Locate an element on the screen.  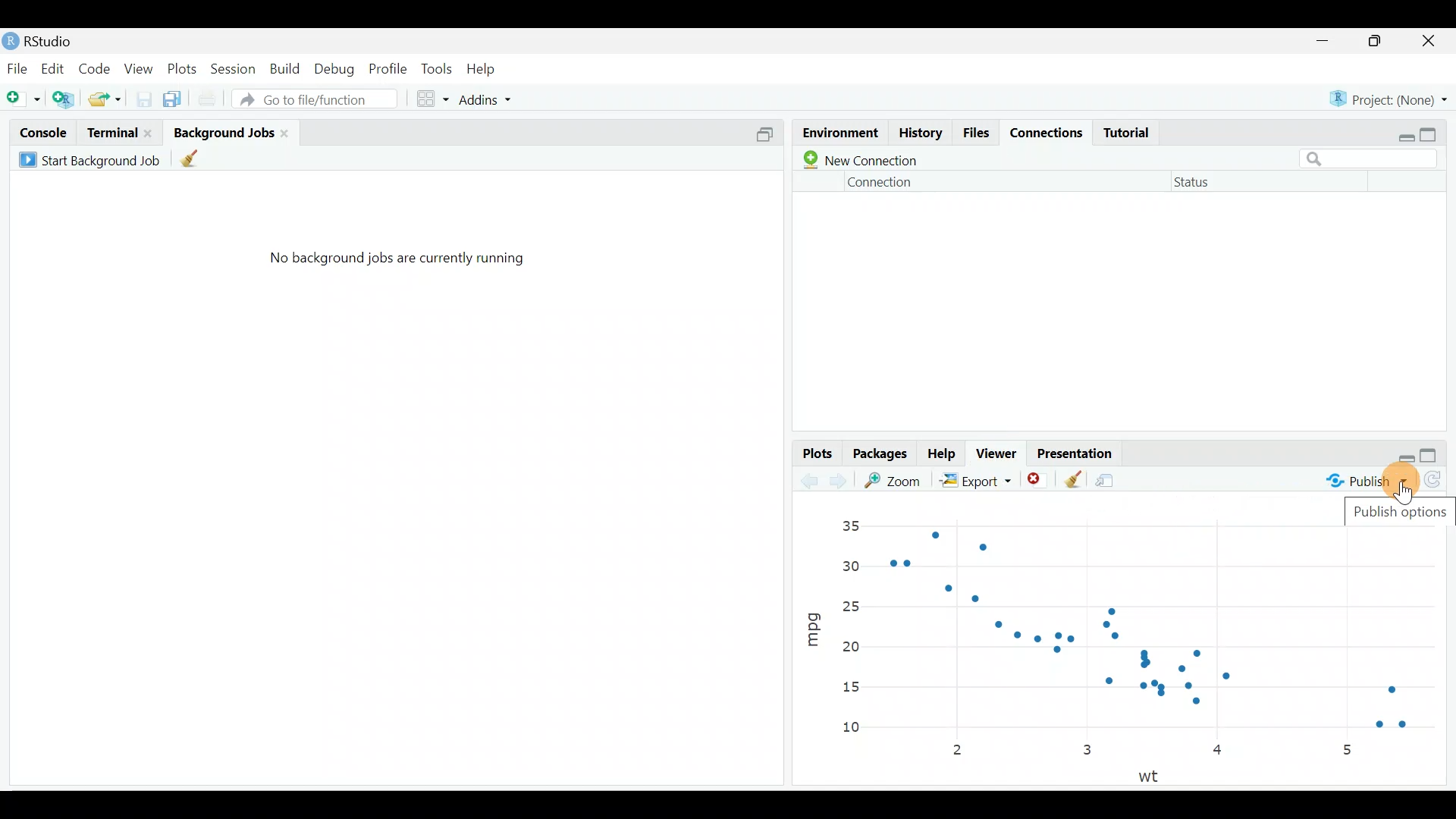
Files is located at coordinates (977, 133).